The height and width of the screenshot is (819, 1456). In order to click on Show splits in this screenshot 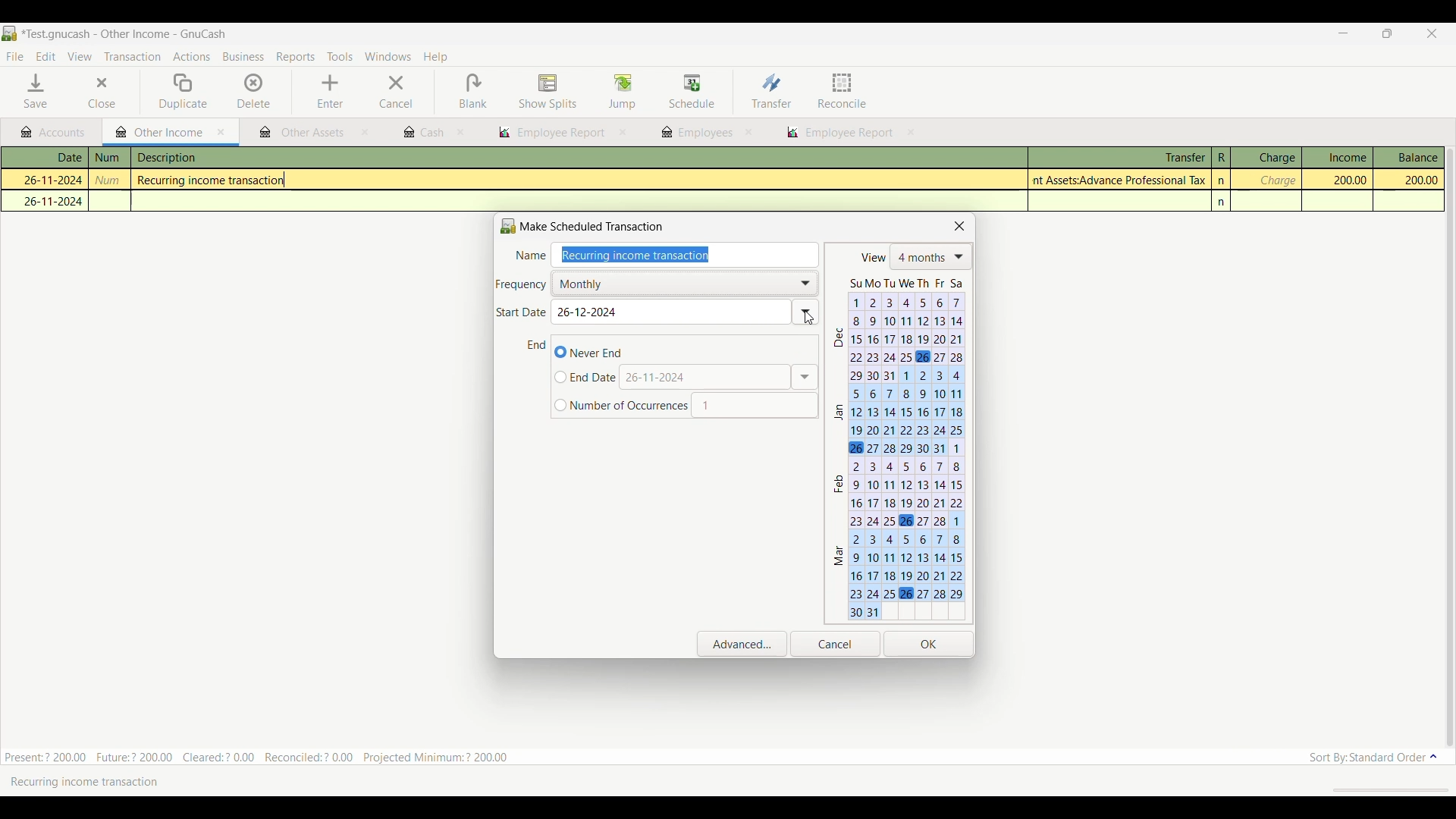, I will do `click(548, 93)`.